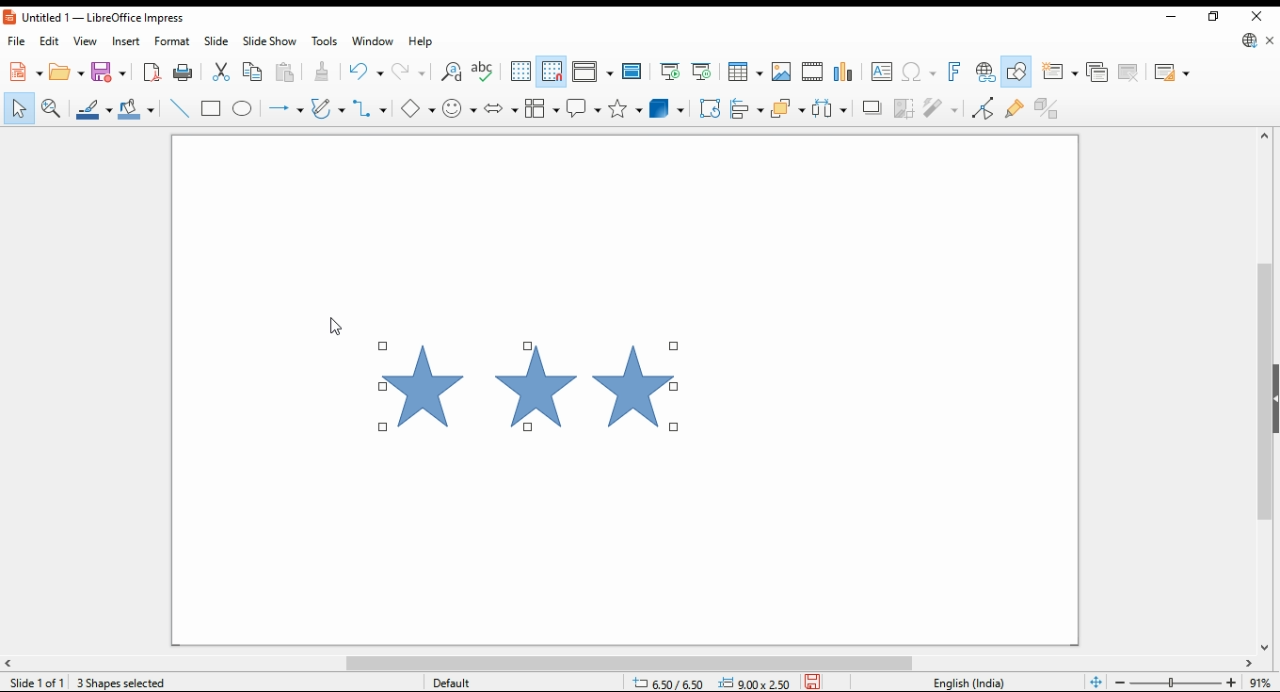  What do you see at coordinates (1264, 389) in the screenshot?
I see `scroll bar` at bounding box center [1264, 389].